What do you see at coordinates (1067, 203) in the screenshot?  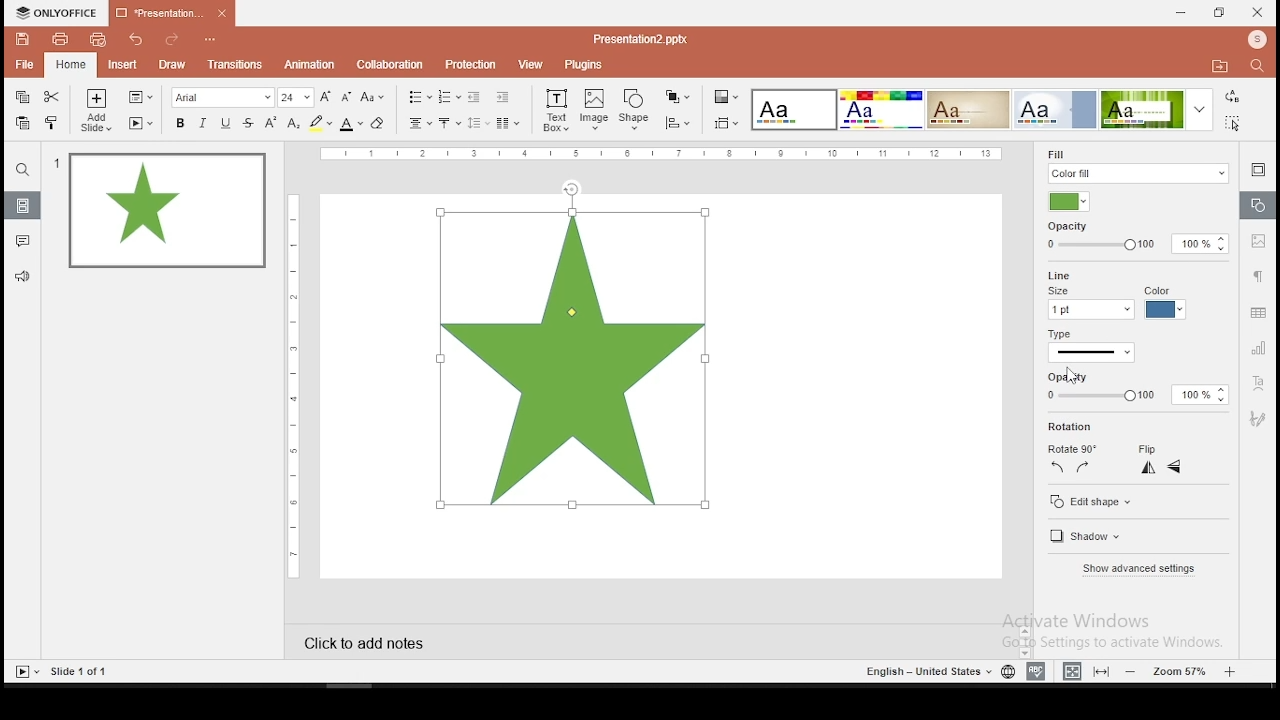 I see `foll color` at bounding box center [1067, 203].